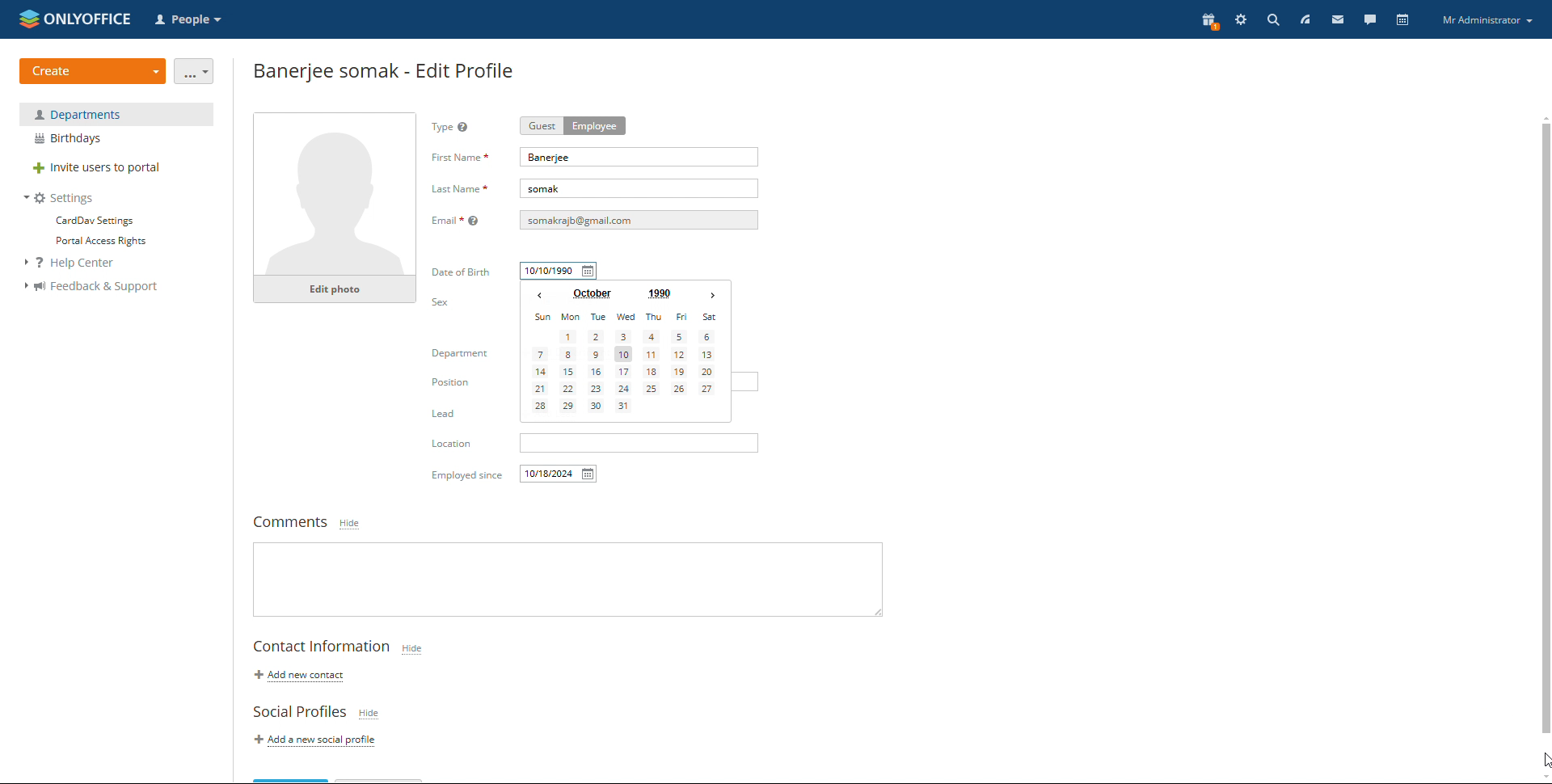  What do you see at coordinates (458, 220) in the screenshot?
I see `Email` at bounding box center [458, 220].